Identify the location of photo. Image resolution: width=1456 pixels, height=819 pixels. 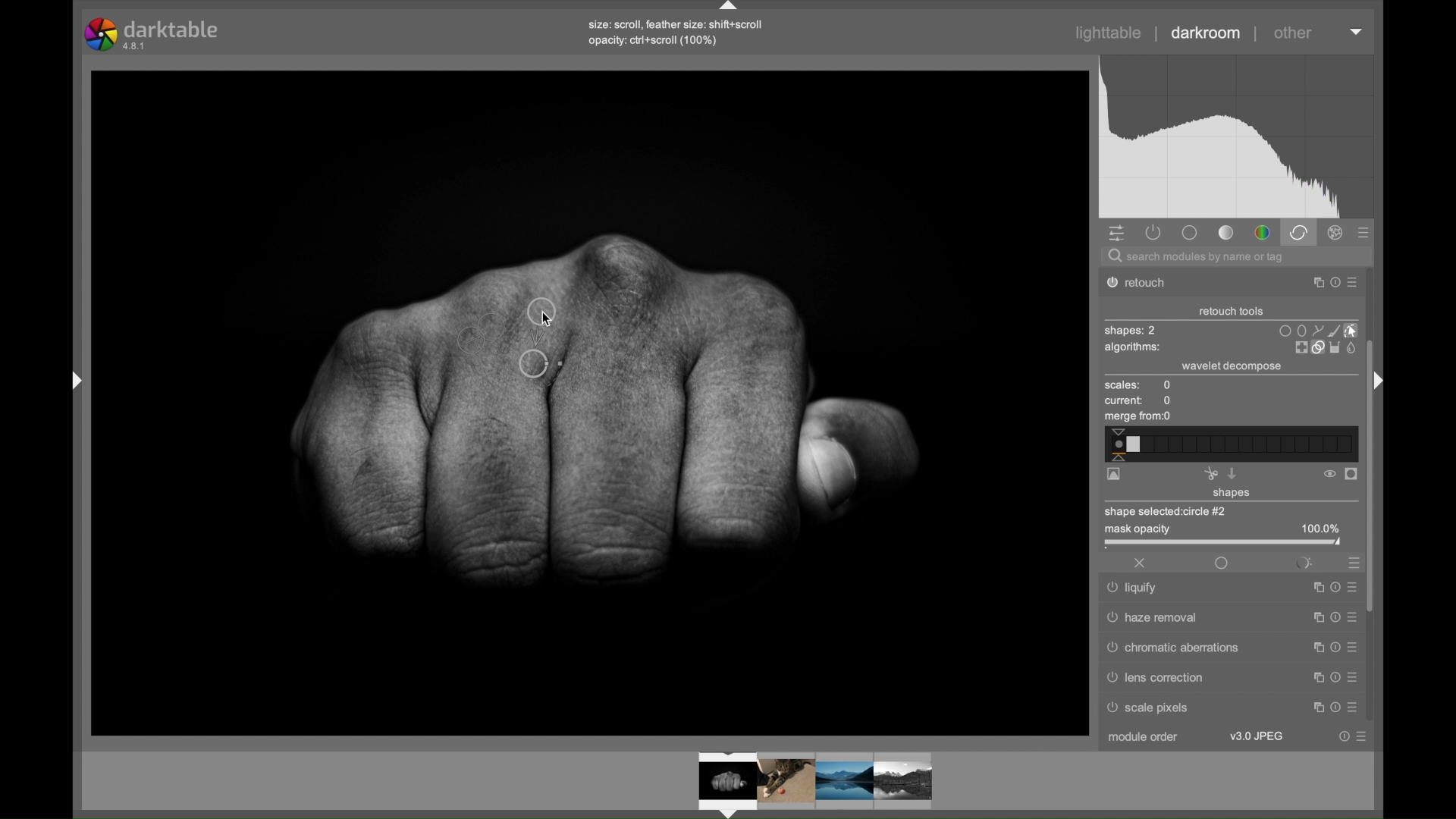
(591, 400).